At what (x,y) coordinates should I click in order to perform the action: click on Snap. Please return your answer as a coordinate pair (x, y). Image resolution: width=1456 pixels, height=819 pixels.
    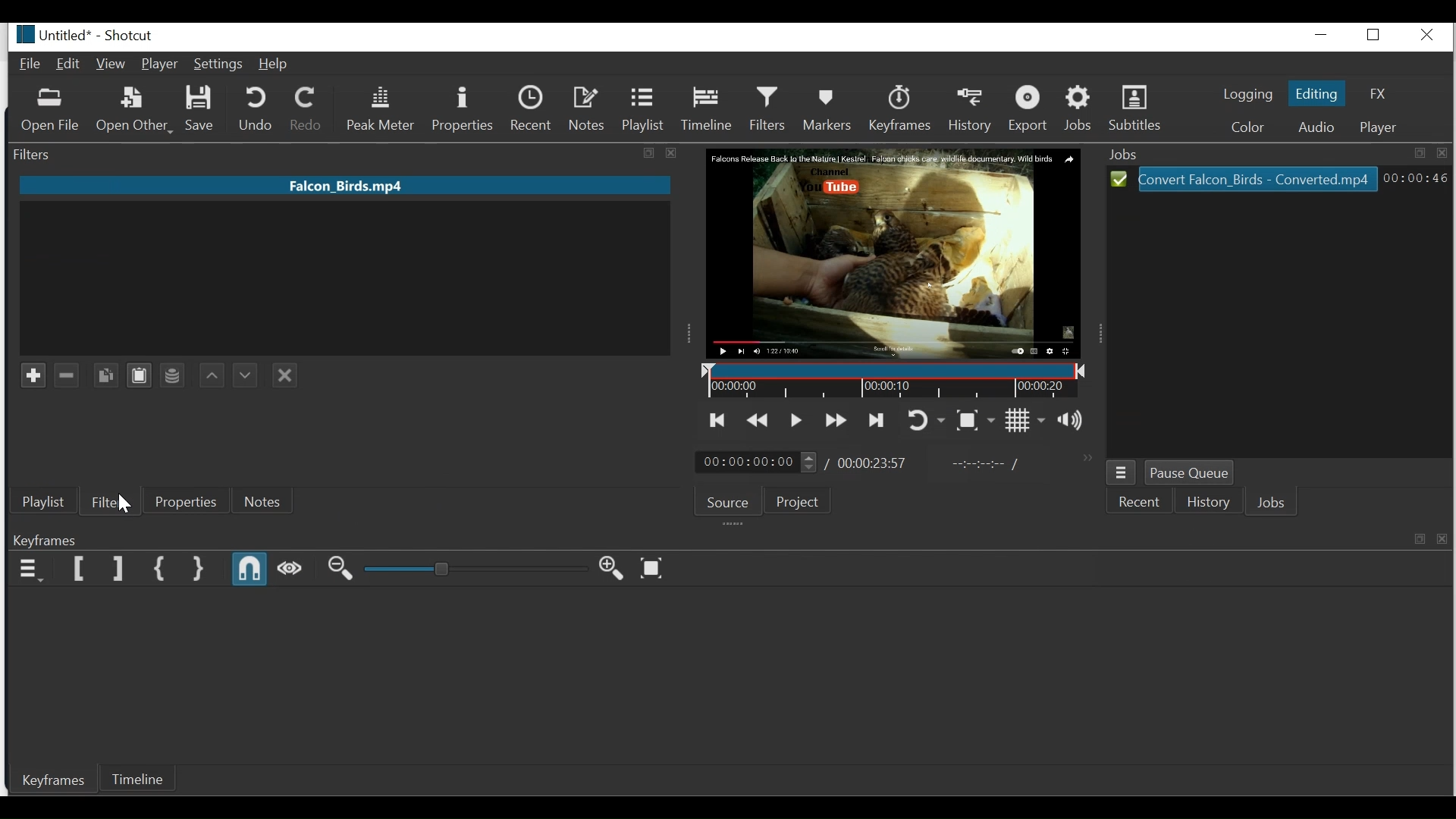
    Looking at the image, I should click on (247, 570).